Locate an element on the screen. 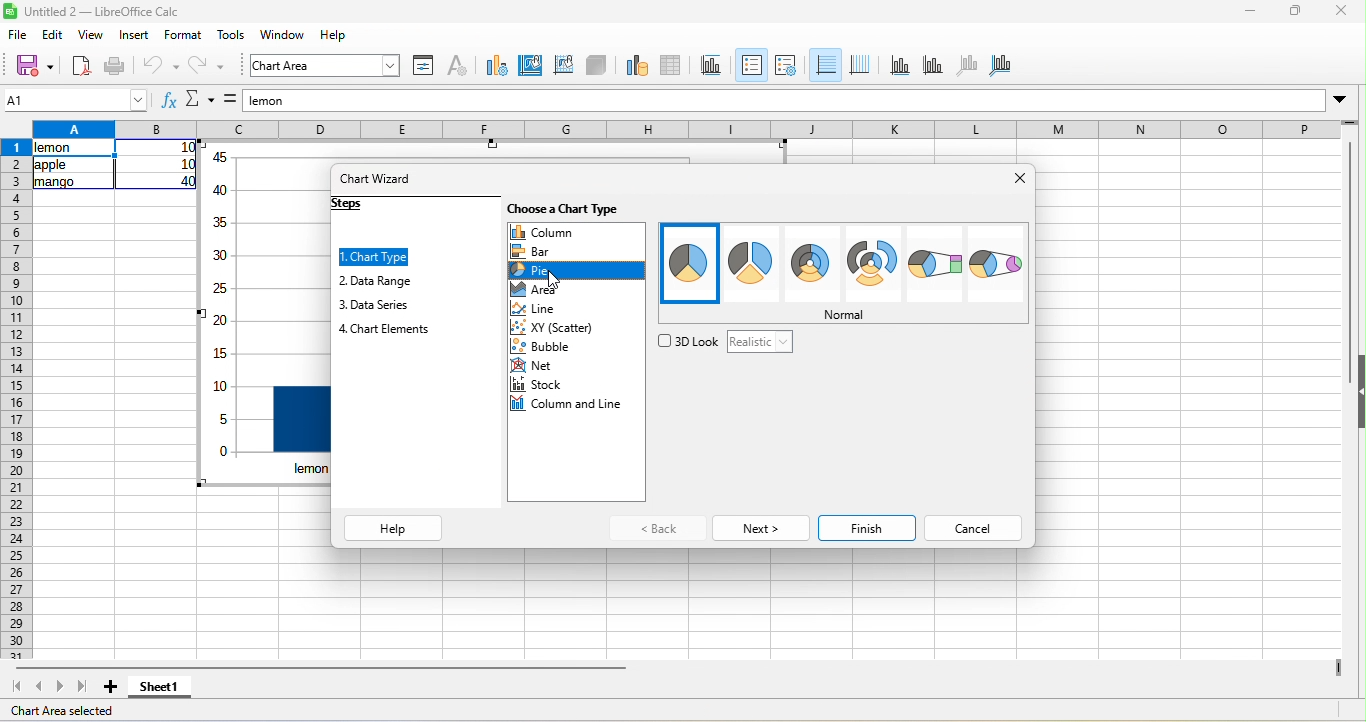 The image size is (1366, 722). realistic is located at coordinates (757, 343).